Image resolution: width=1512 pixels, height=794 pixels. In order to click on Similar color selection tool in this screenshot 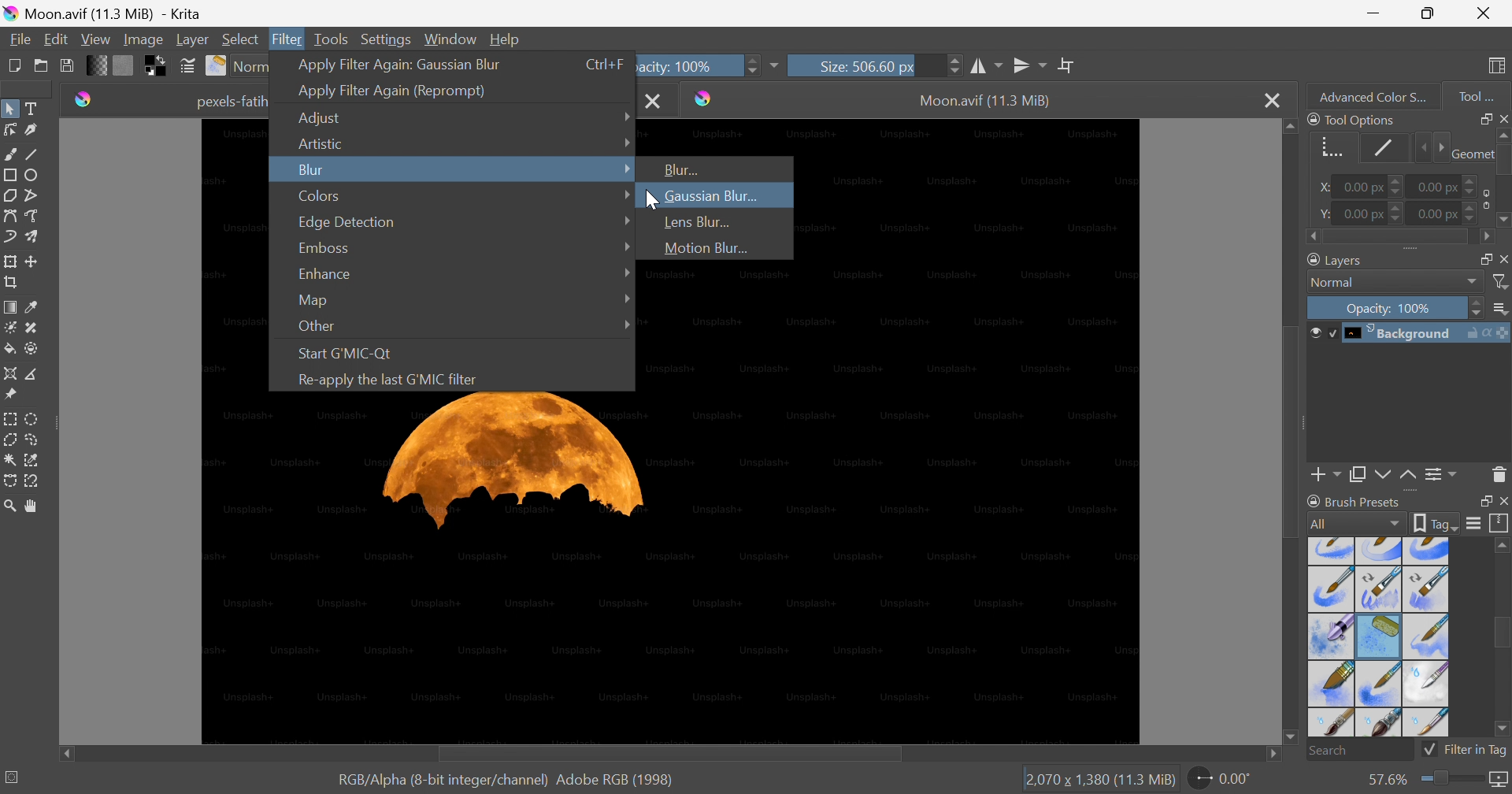, I will do `click(32, 461)`.